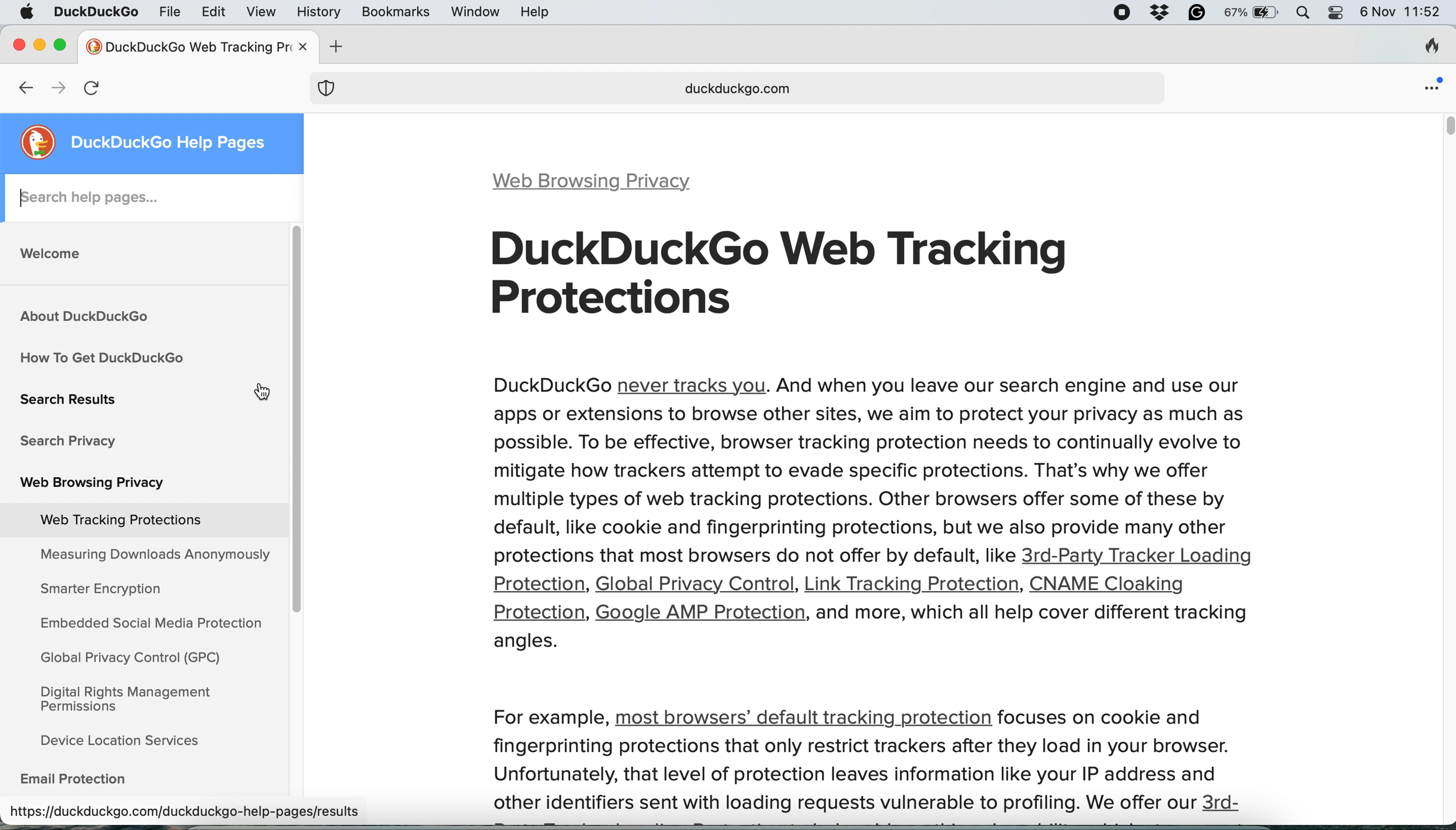 The height and width of the screenshot is (830, 1456). Describe the element at coordinates (1442, 129) in the screenshot. I see `vertical scroll bar` at that location.